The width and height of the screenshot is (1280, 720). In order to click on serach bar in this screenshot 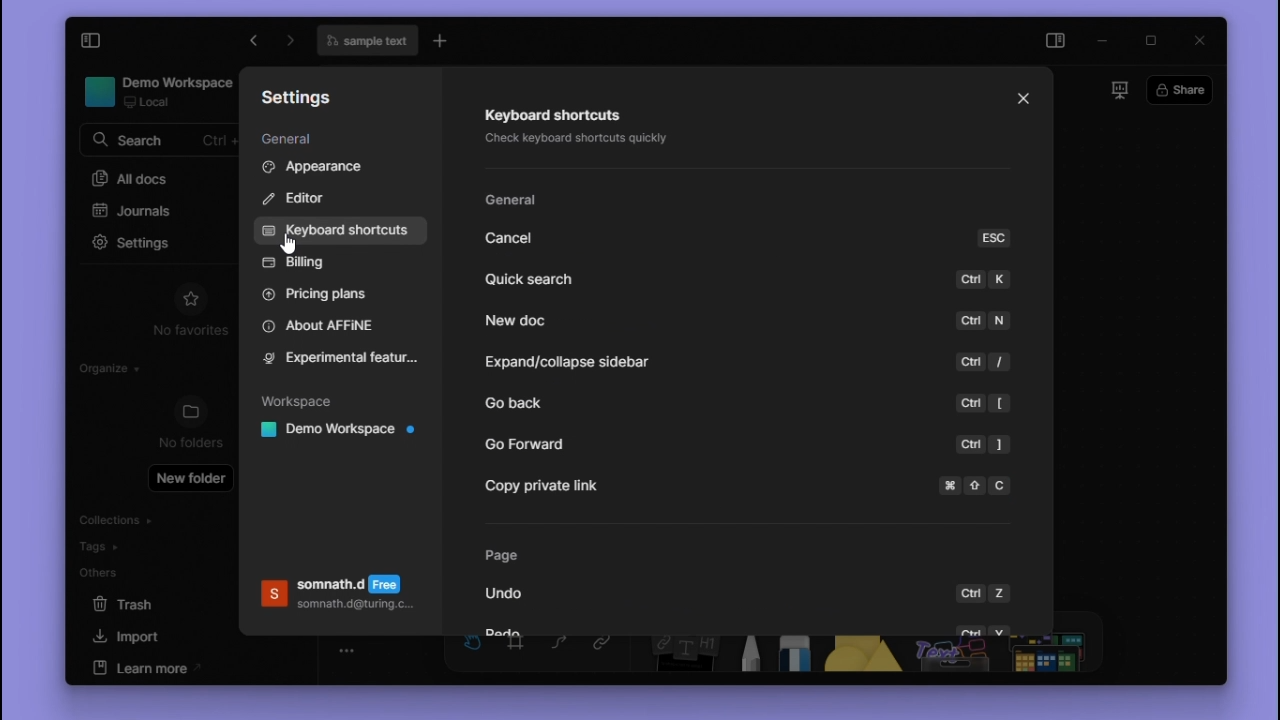, I will do `click(160, 142)`.